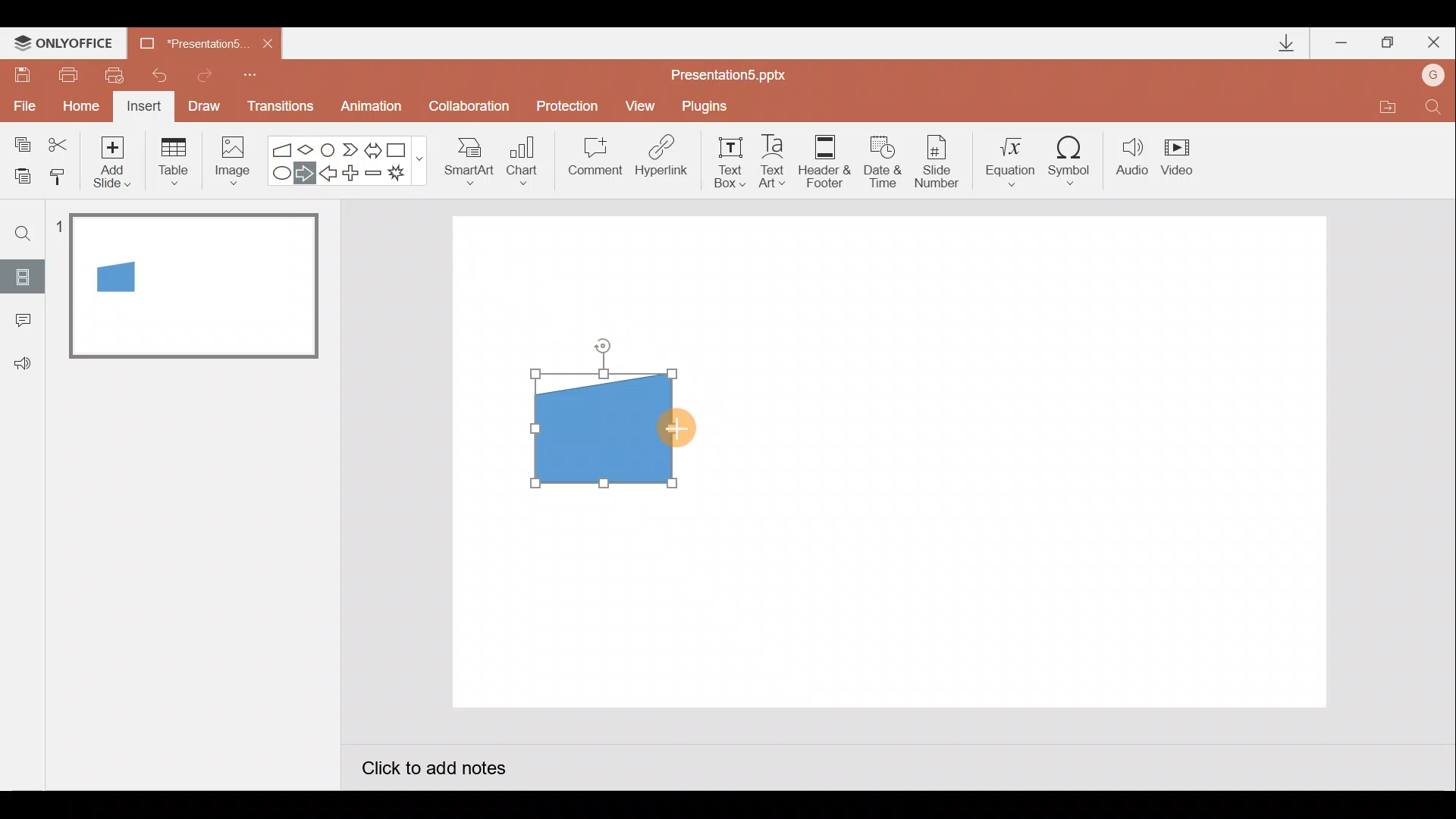 The image size is (1456, 819). I want to click on Audio, so click(1133, 160).